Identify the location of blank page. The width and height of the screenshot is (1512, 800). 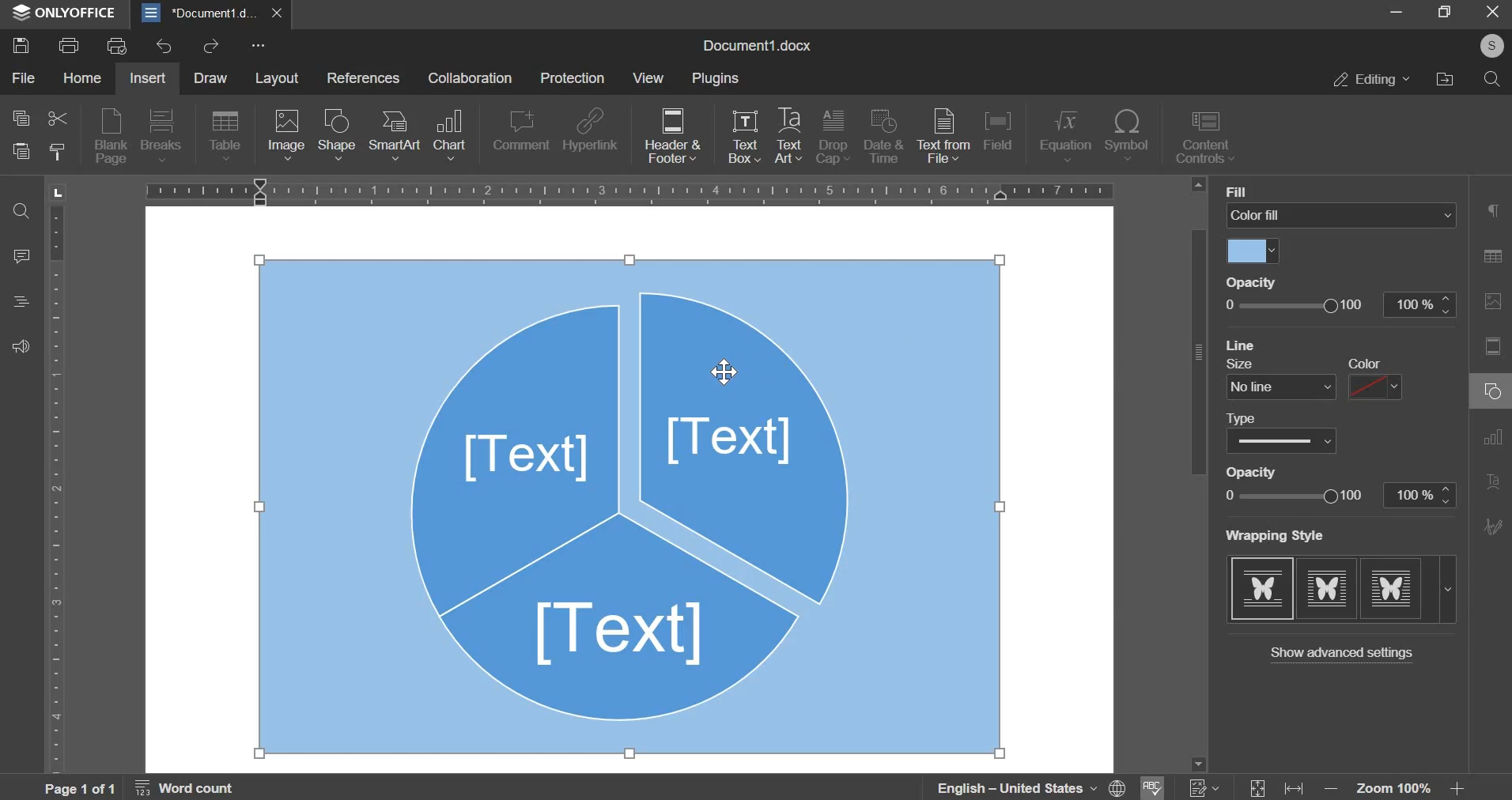
(112, 135).